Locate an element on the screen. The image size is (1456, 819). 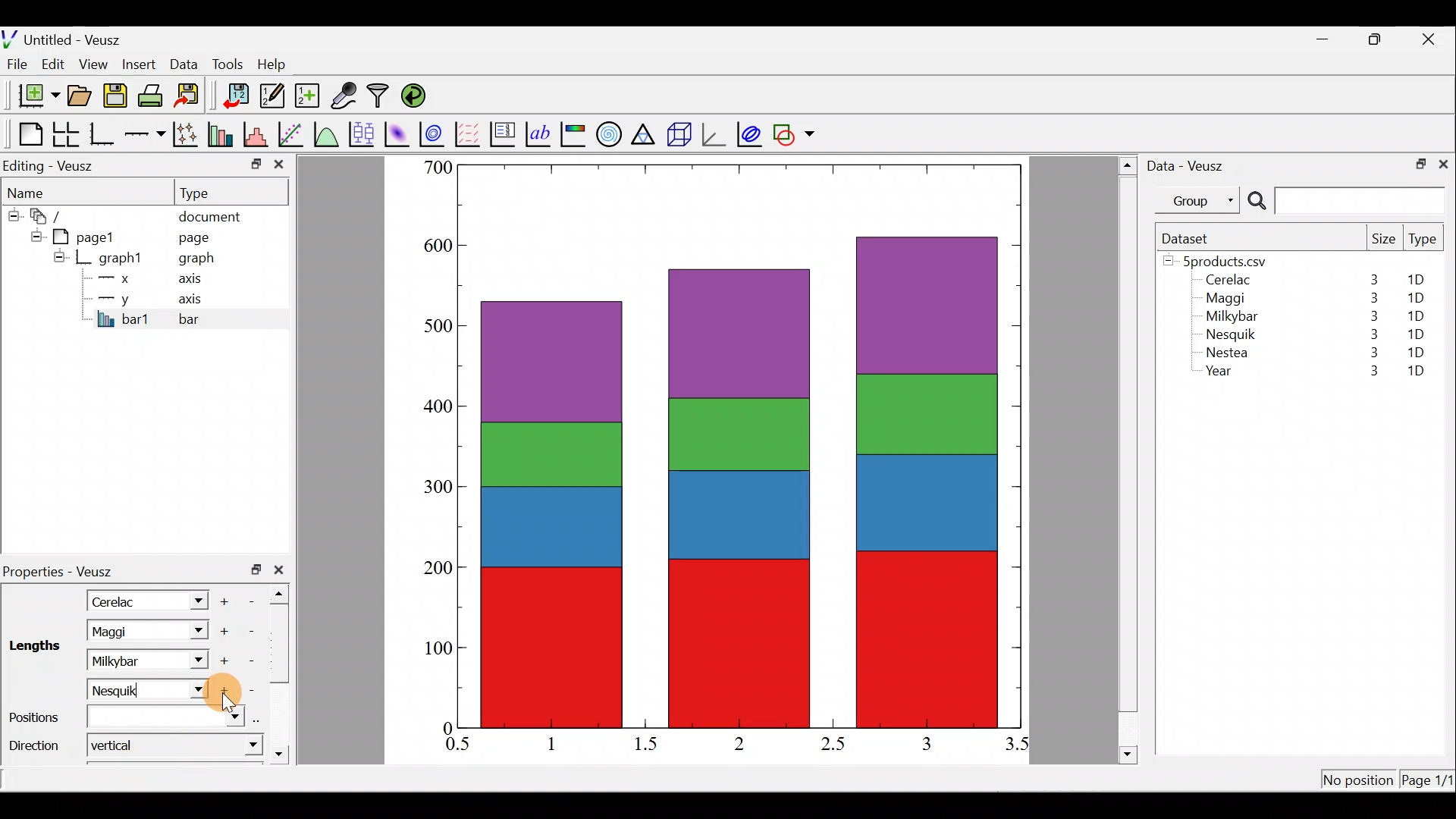
hide is located at coordinates (12, 213).